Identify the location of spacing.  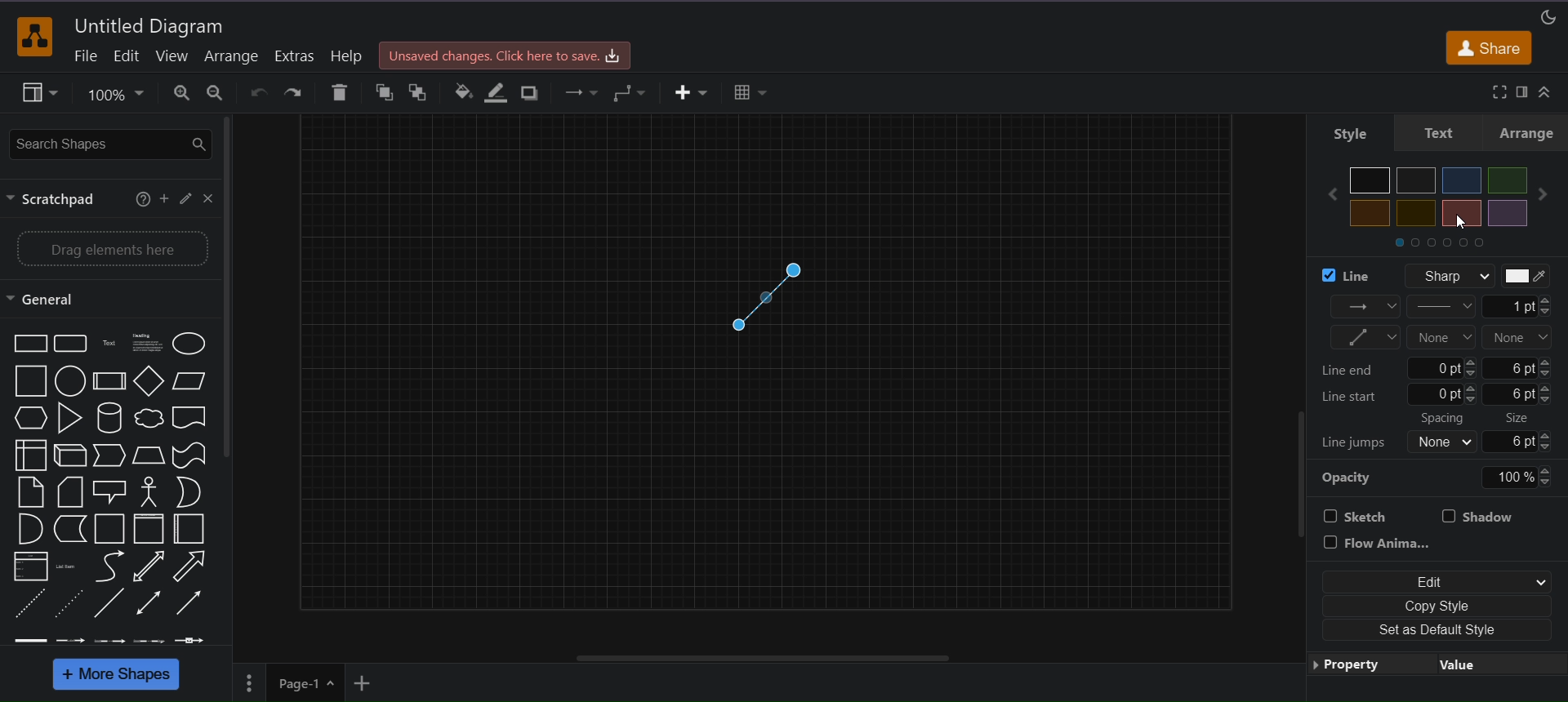
(1452, 432).